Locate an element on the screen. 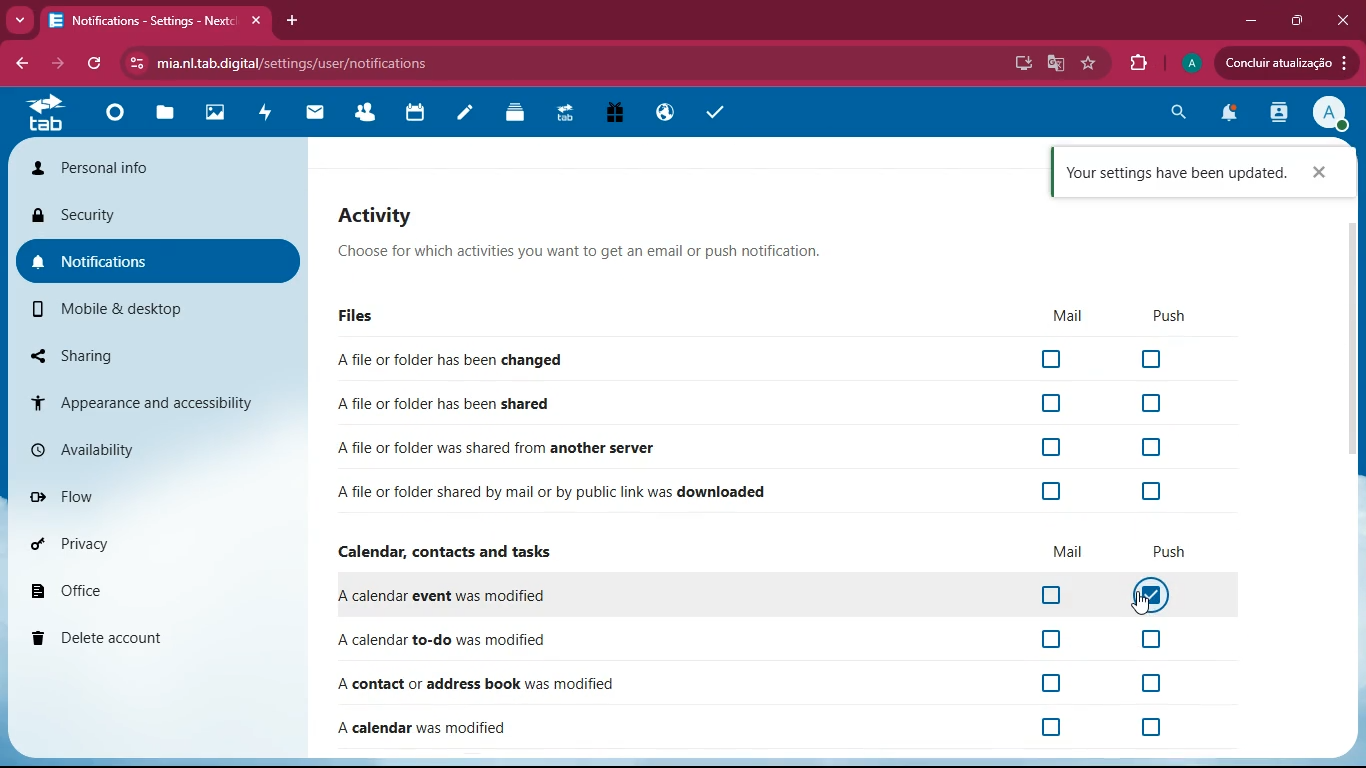 The height and width of the screenshot is (768, 1366). off is located at coordinates (1051, 596).